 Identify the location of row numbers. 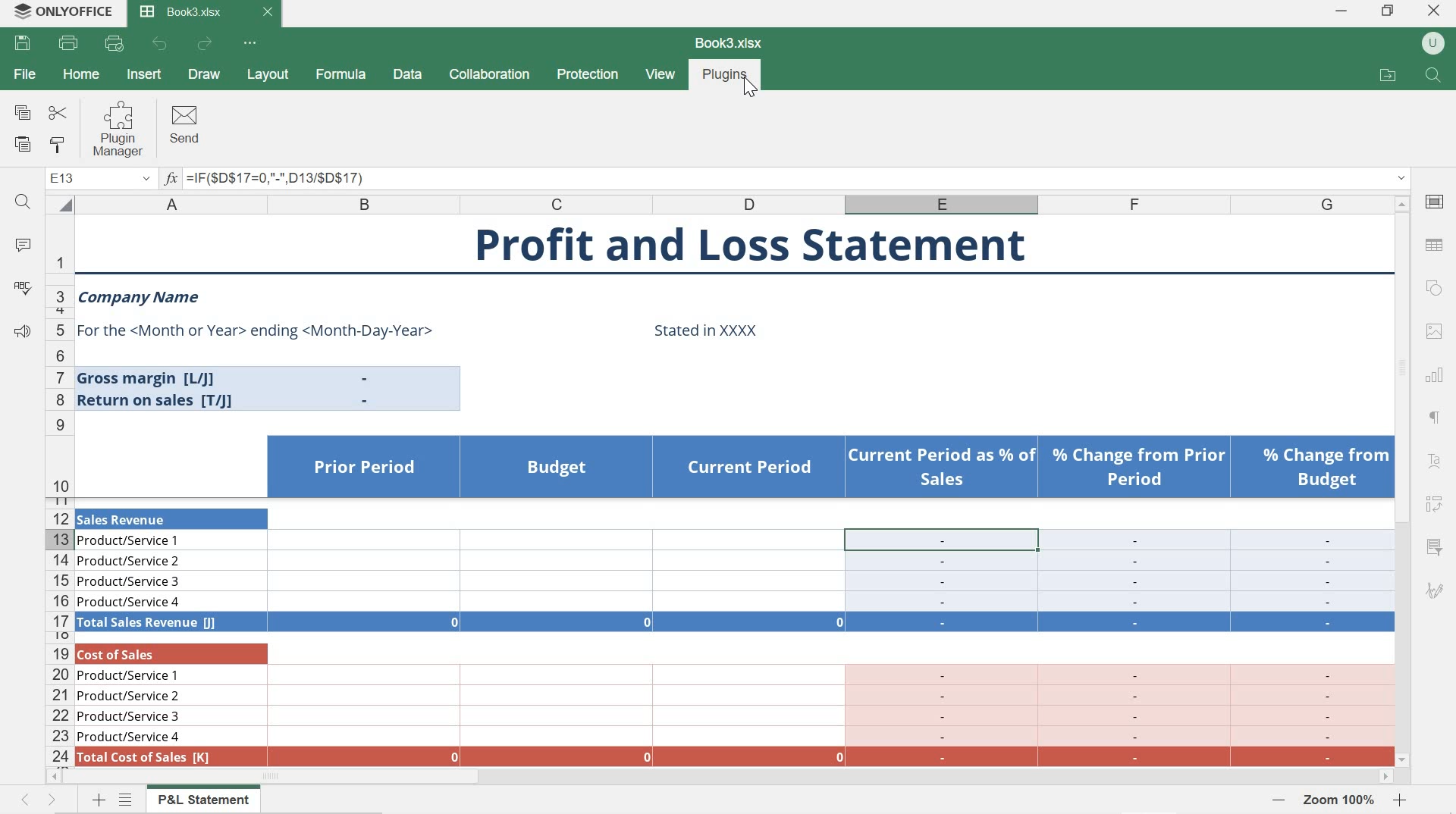
(59, 490).